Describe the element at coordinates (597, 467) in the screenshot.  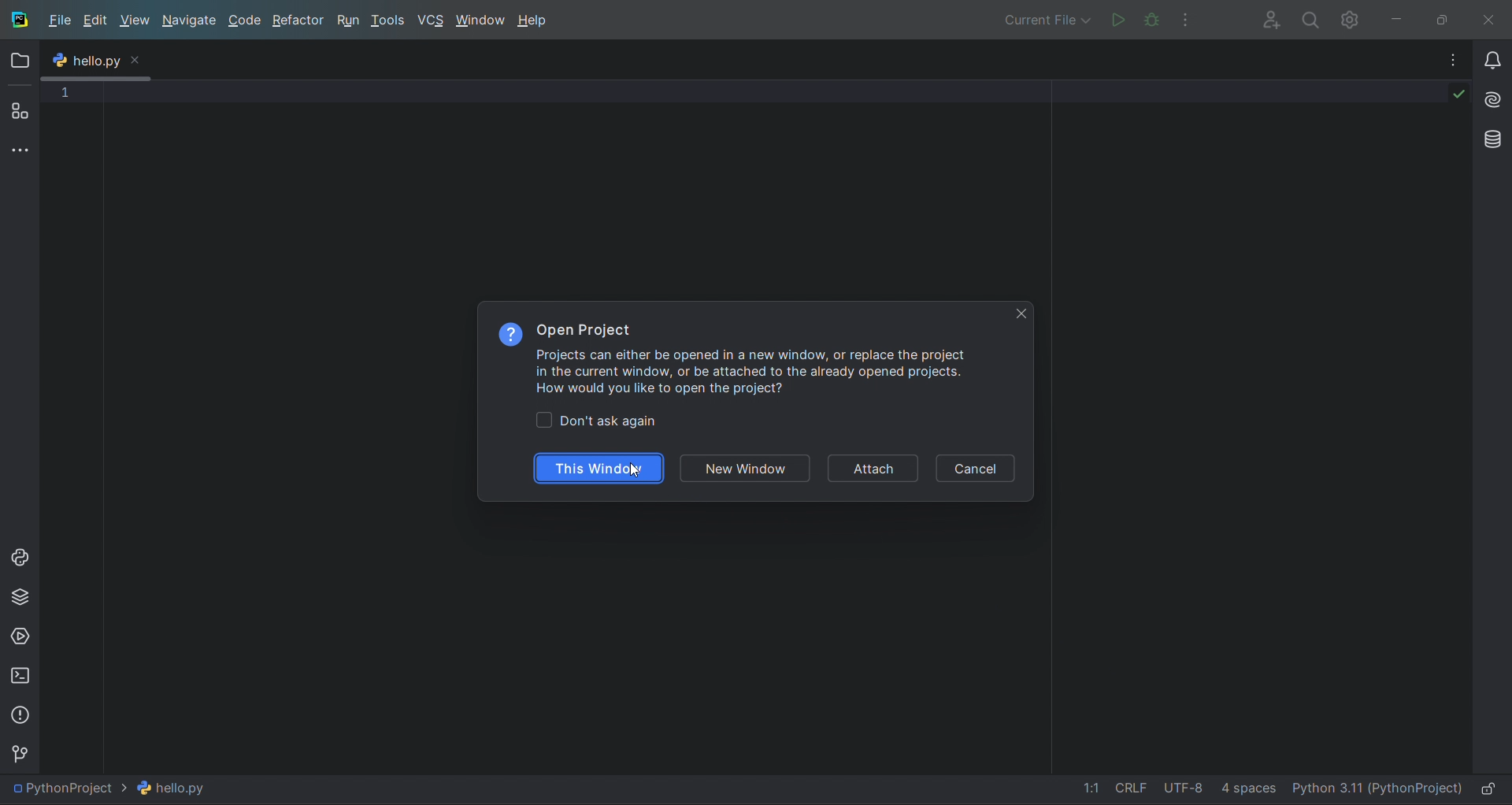
I see `this window` at that location.